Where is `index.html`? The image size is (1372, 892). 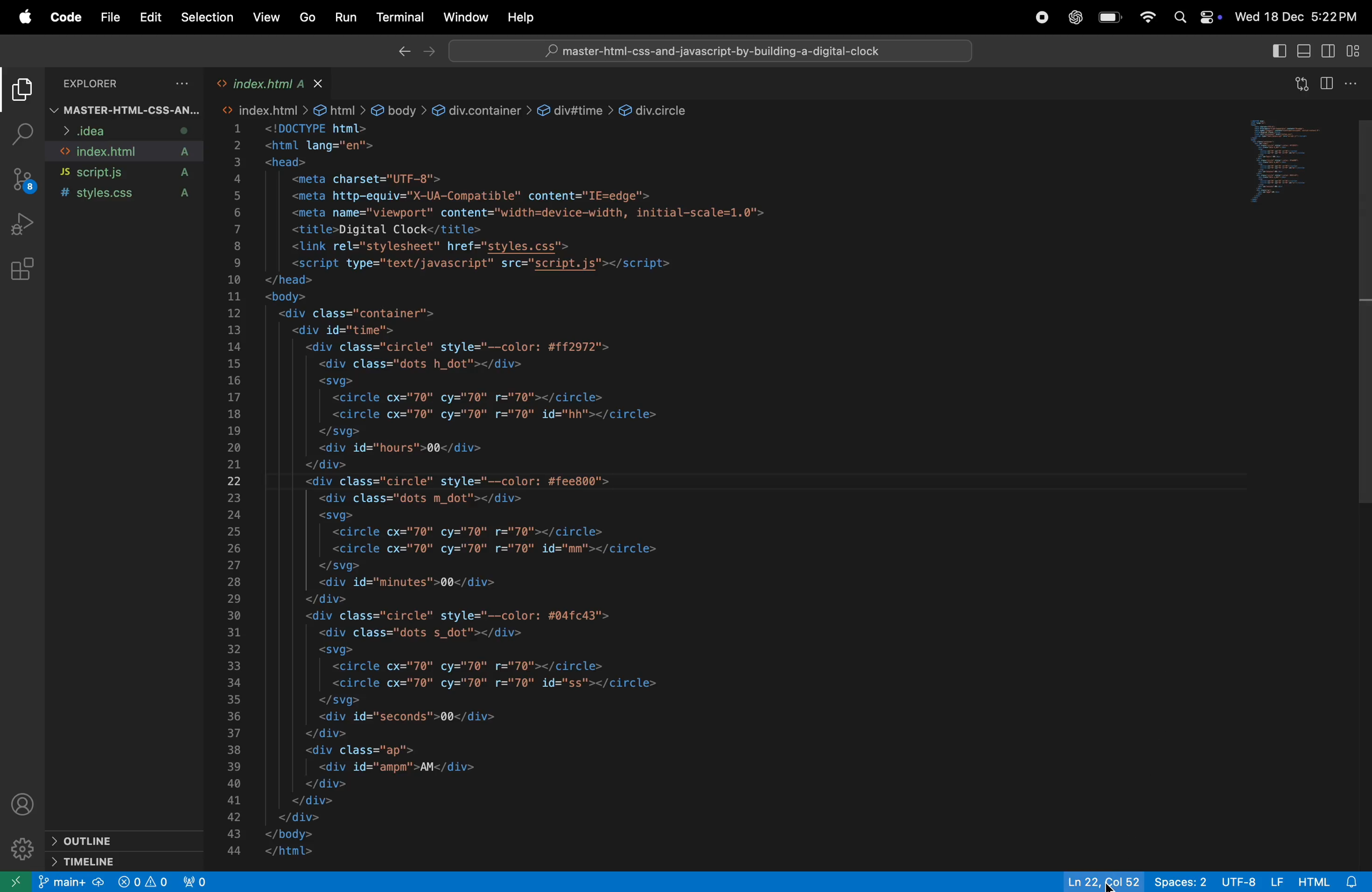
index.html is located at coordinates (126, 152).